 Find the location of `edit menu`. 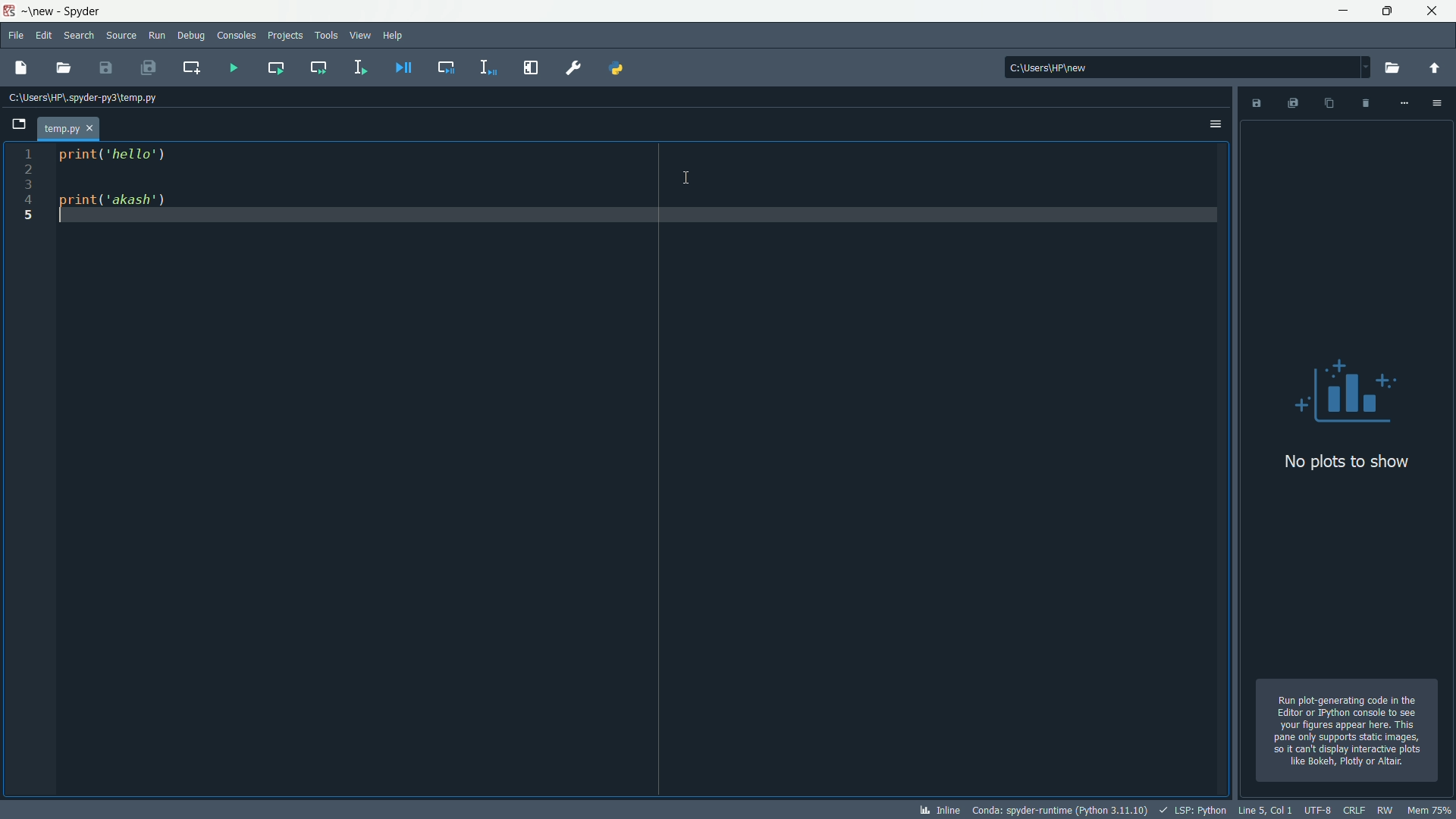

edit menu is located at coordinates (45, 36).